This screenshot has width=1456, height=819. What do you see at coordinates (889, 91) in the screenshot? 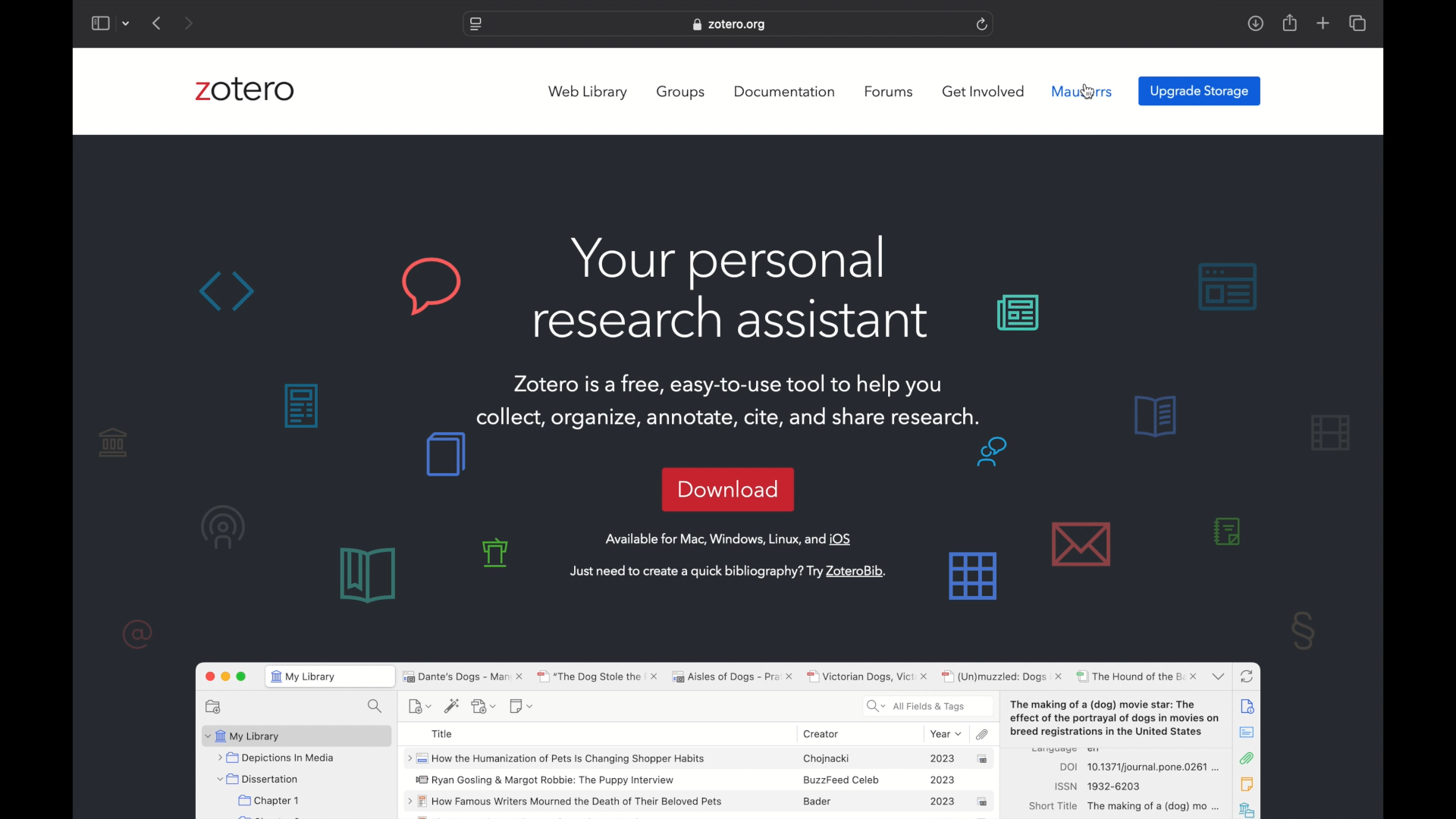
I see `forums` at bounding box center [889, 91].